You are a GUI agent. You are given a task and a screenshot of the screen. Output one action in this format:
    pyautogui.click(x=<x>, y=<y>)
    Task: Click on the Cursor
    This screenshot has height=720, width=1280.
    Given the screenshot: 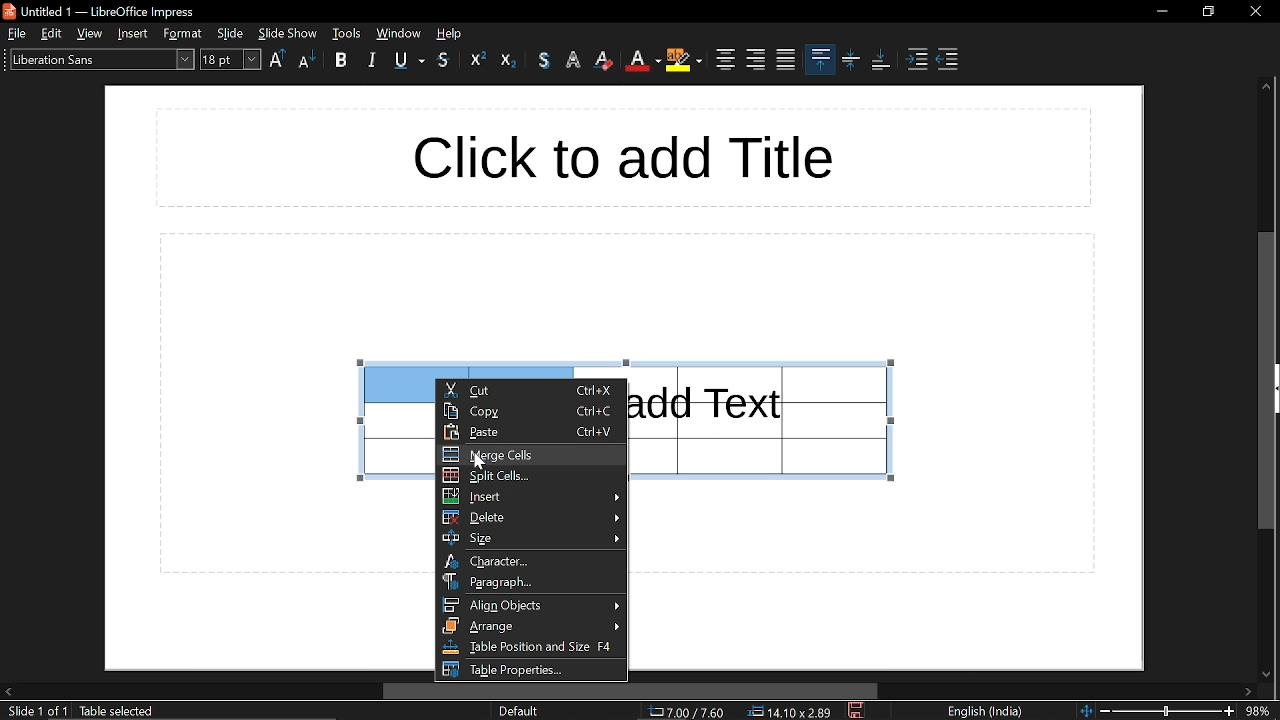 What is the action you would take?
    pyautogui.click(x=480, y=461)
    